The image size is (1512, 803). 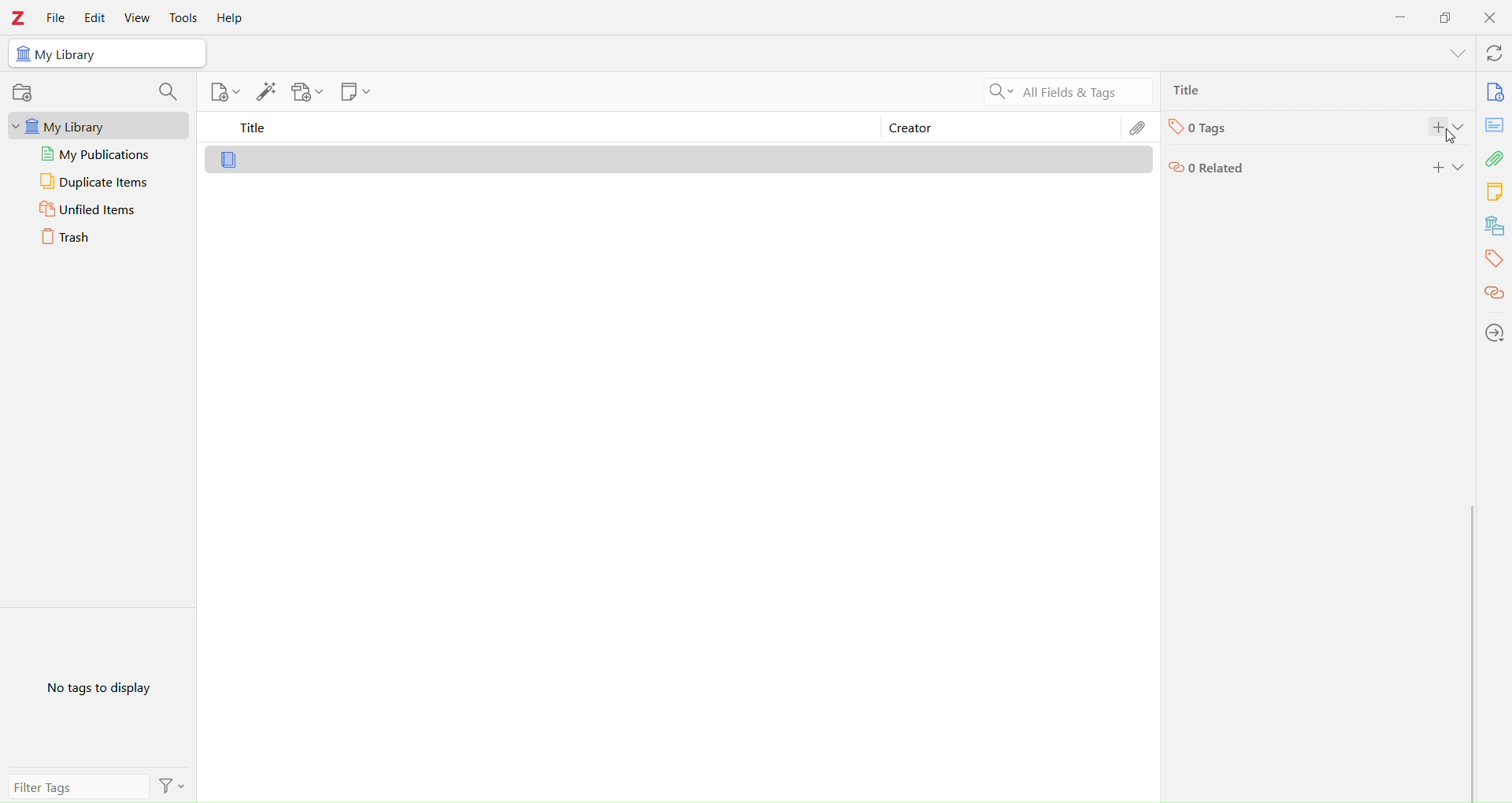 What do you see at coordinates (78, 786) in the screenshot?
I see `Filter Tags` at bounding box center [78, 786].